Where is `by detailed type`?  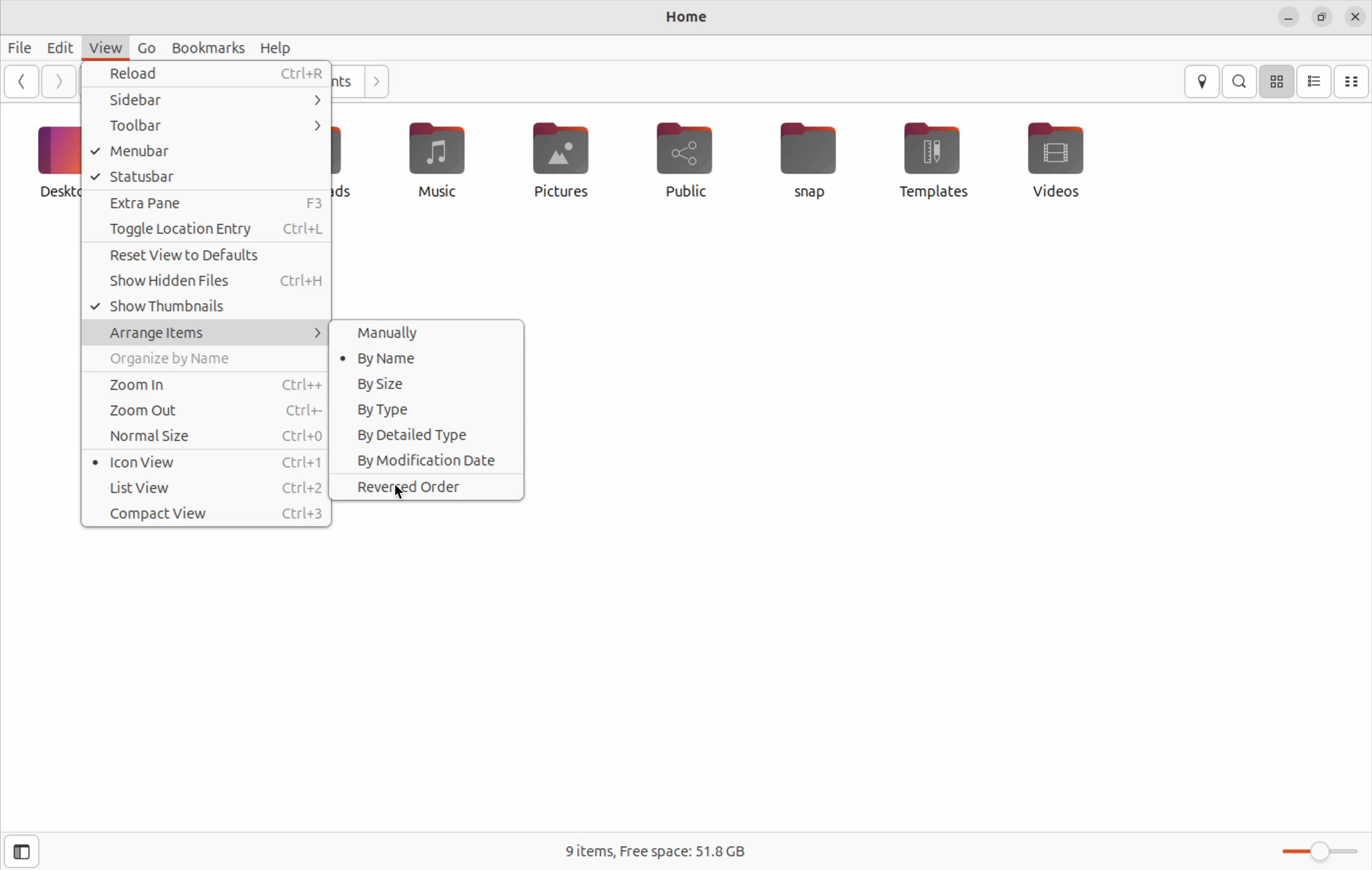 by detailed type is located at coordinates (427, 436).